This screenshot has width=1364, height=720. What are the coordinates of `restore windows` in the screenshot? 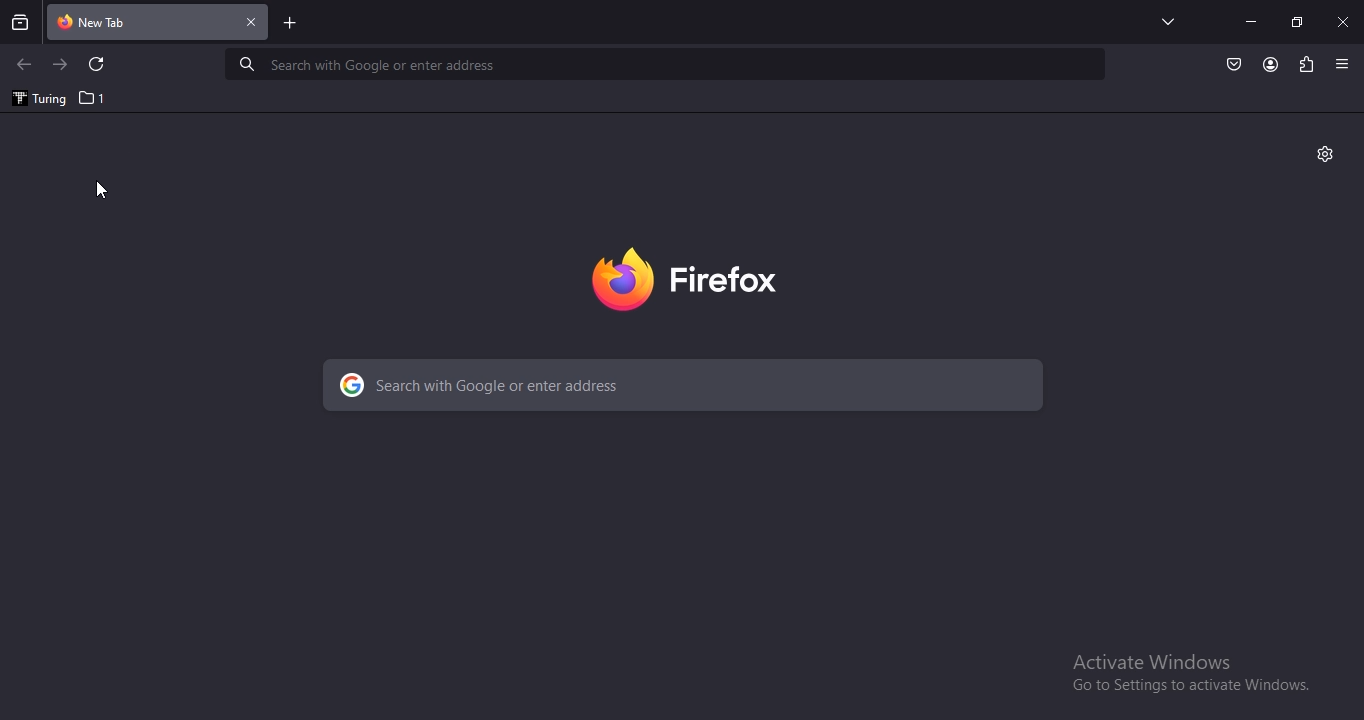 It's located at (1299, 22).